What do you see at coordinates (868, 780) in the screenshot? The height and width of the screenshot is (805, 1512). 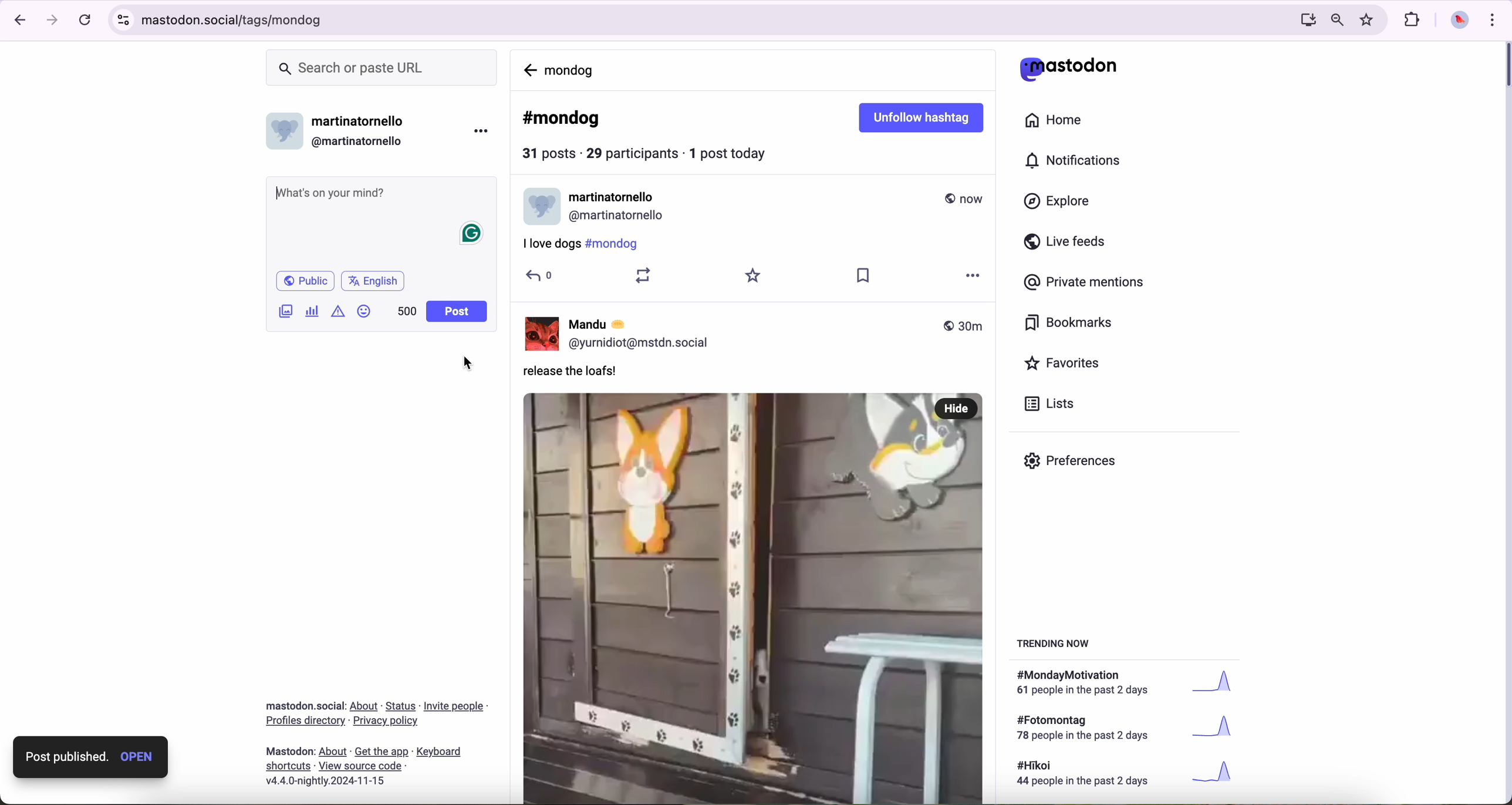 I see `save publication` at bounding box center [868, 780].